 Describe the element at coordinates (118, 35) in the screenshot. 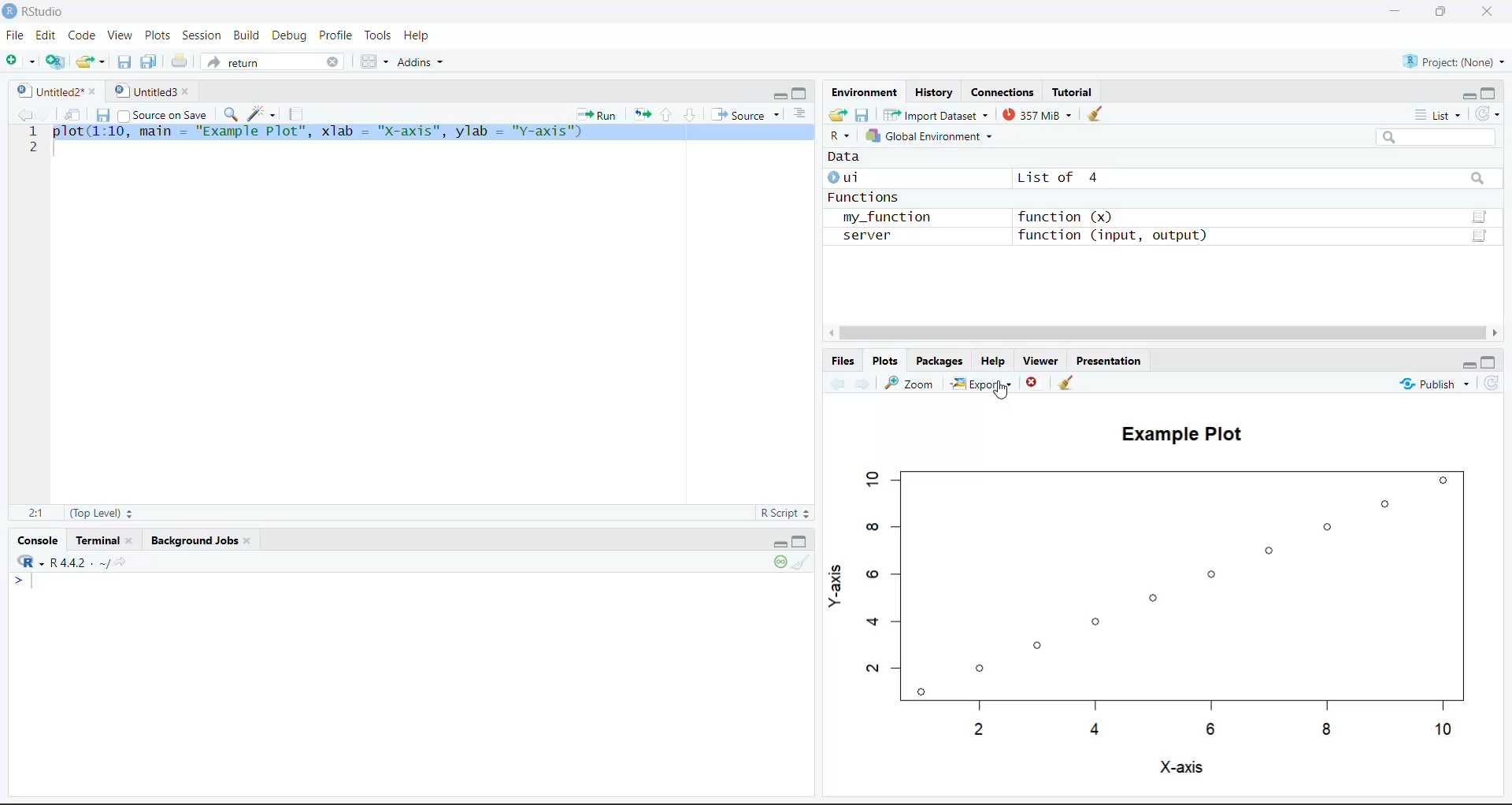

I see `View` at that location.